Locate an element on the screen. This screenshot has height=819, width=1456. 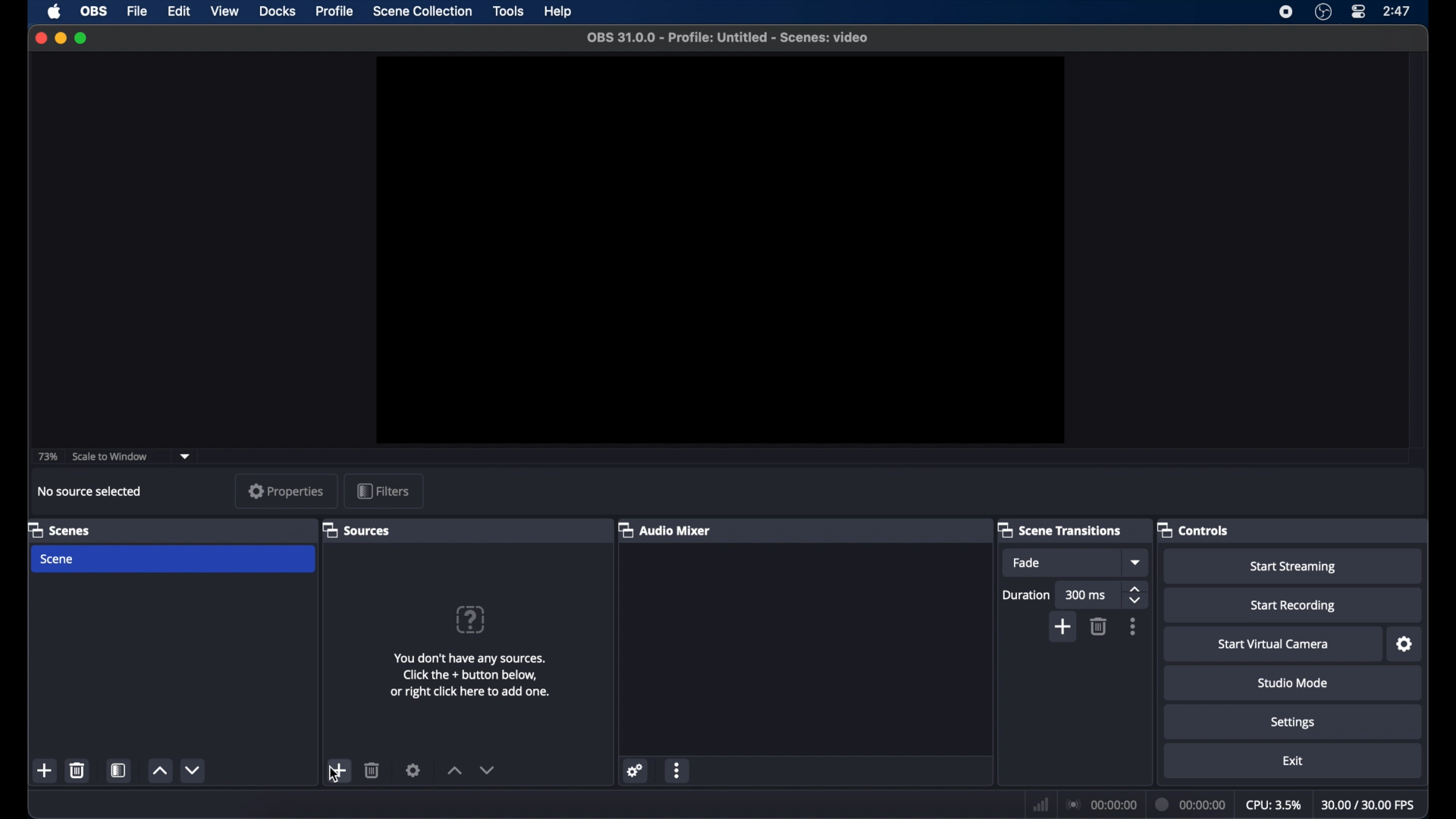
scale to window is located at coordinates (110, 457).